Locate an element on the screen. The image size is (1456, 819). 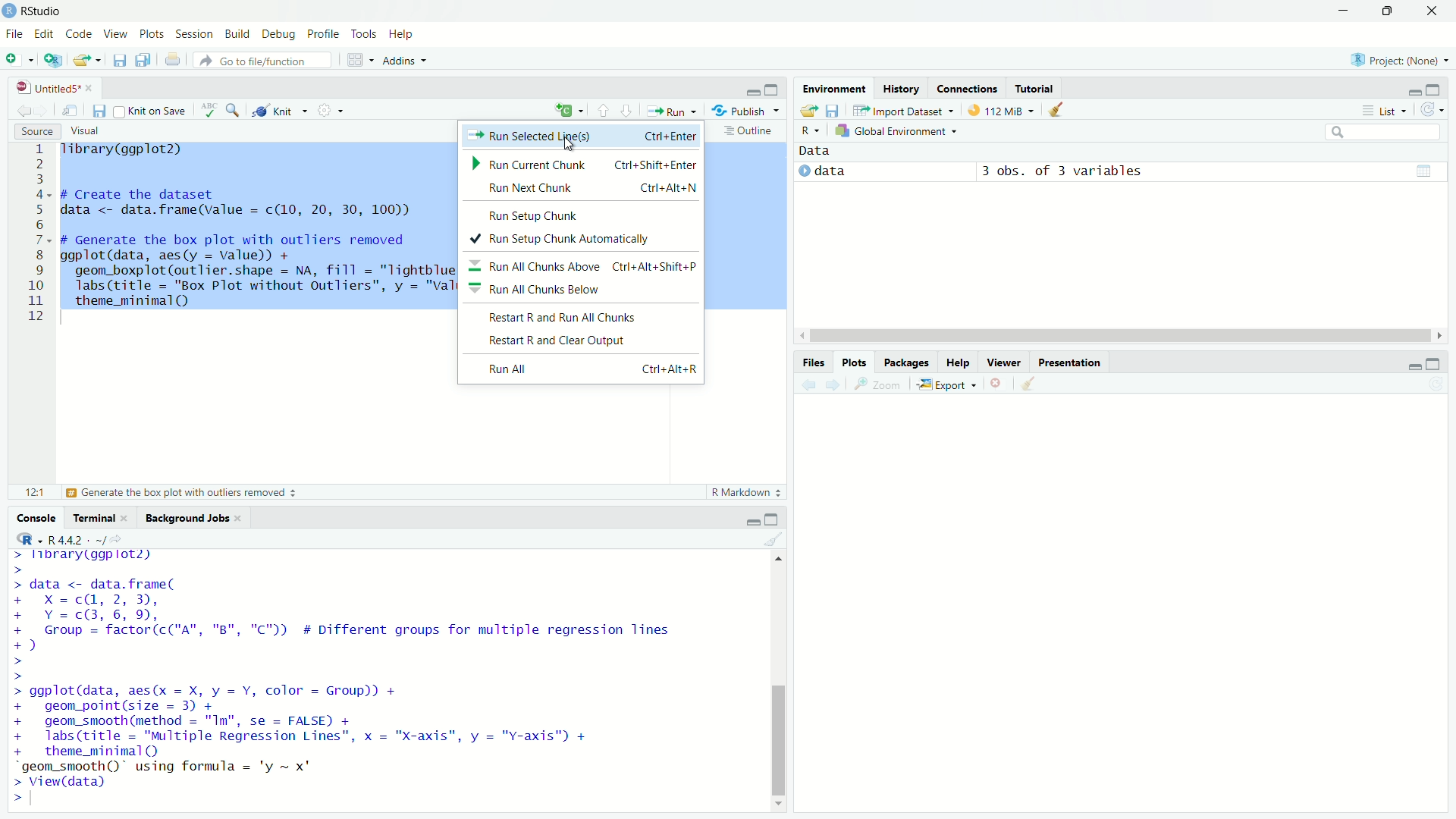
maximise is located at coordinates (774, 89).